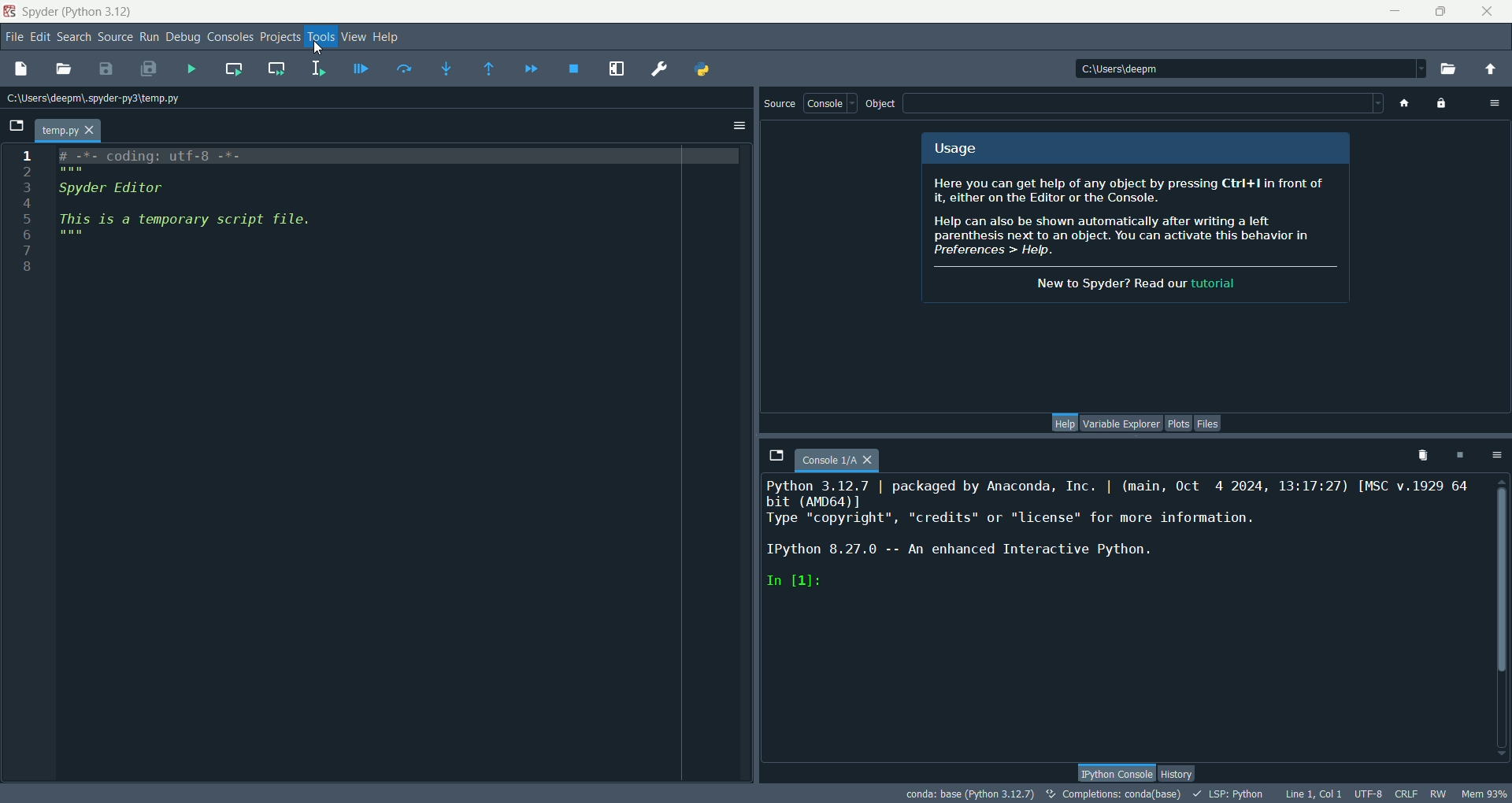 The width and height of the screenshot is (1512, 803). What do you see at coordinates (205, 203) in the screenshot?
I see `script file` at bounding box center [205, 203].